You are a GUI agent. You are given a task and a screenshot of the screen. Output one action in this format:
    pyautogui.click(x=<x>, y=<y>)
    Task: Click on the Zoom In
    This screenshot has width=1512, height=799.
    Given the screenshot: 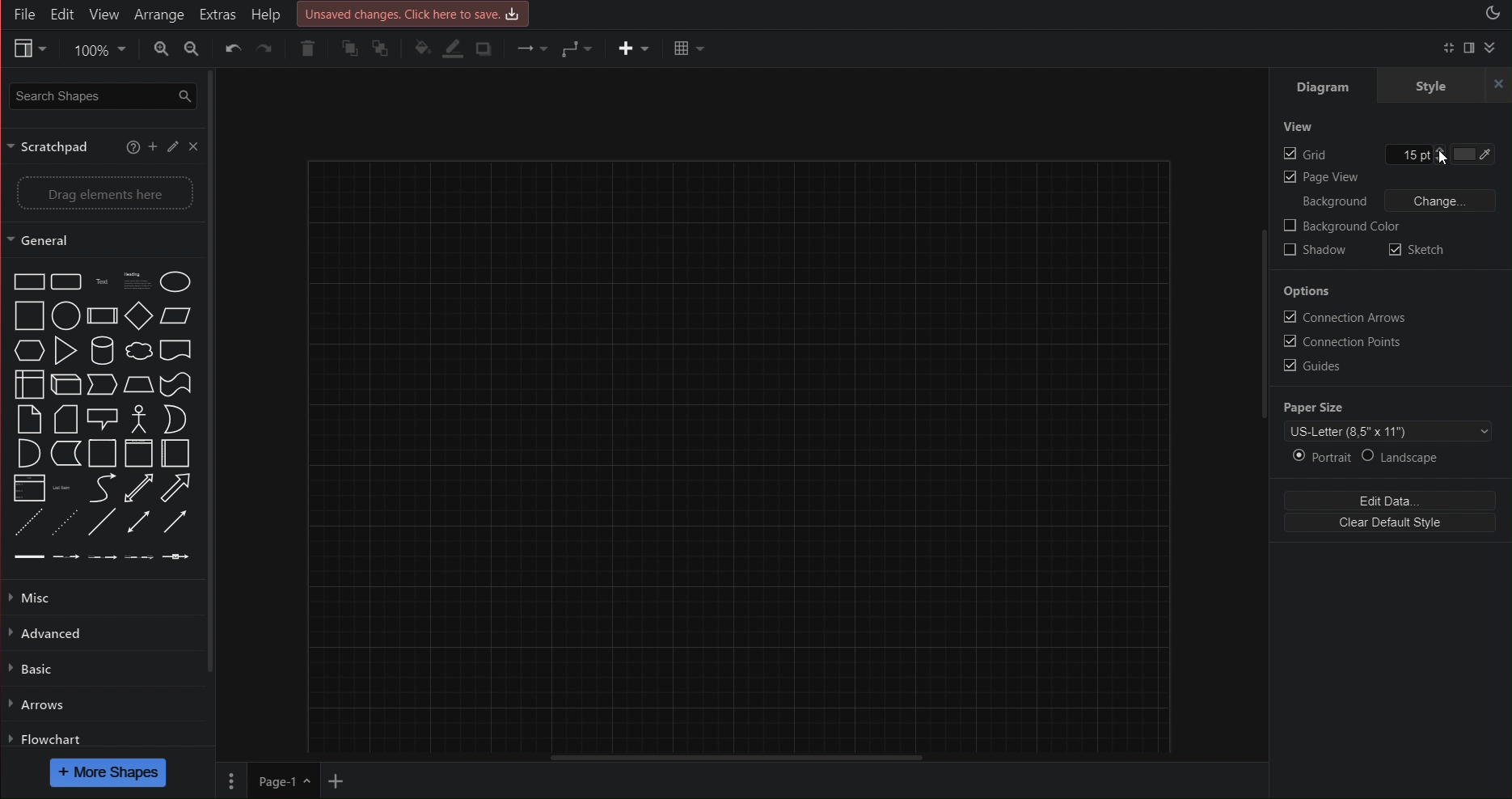 What is the action you would take?
    pyautogui.click(x=158, y=49)
    